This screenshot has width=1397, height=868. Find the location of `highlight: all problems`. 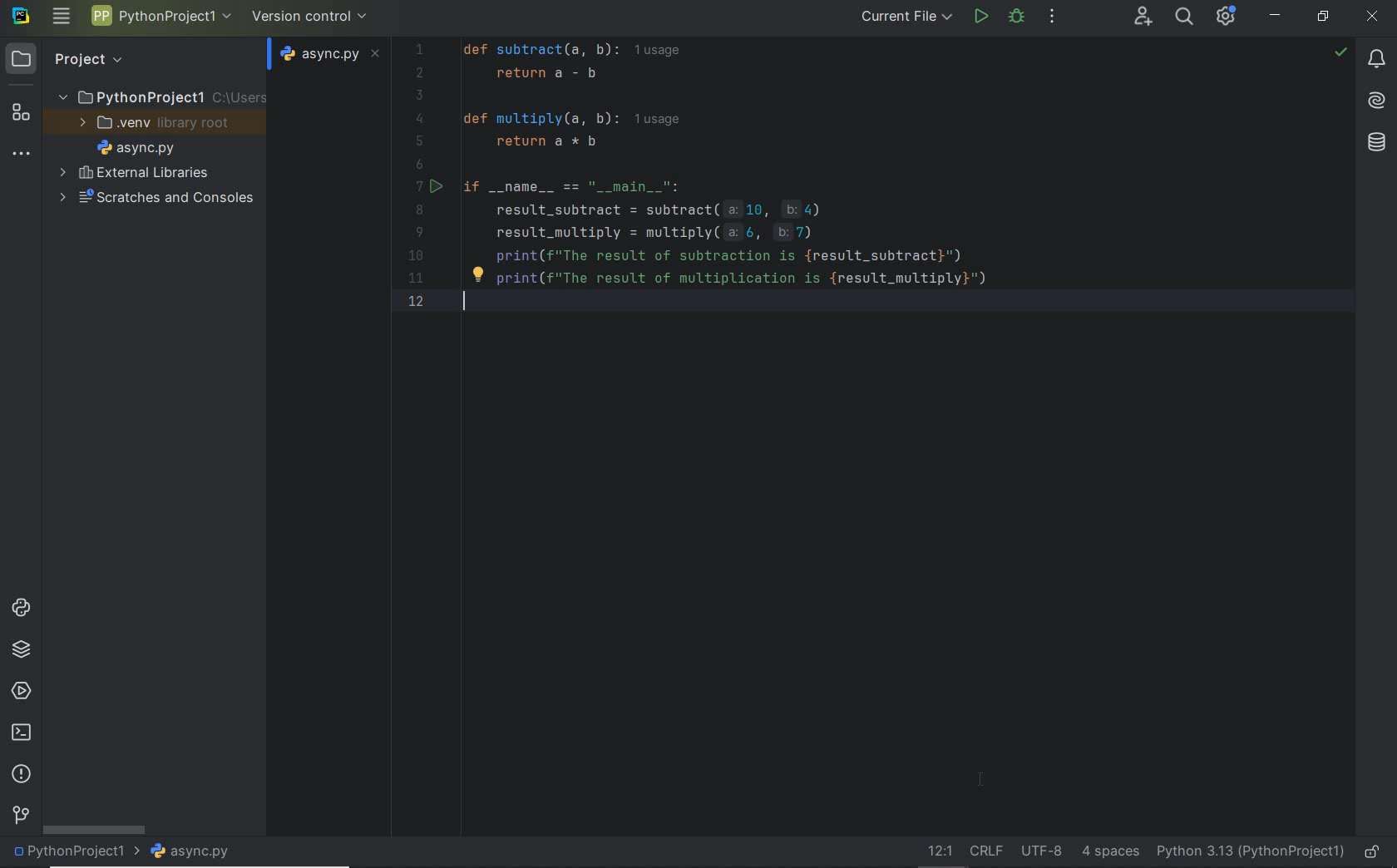

highlight: all problems is located at coordinates (1339, 53).